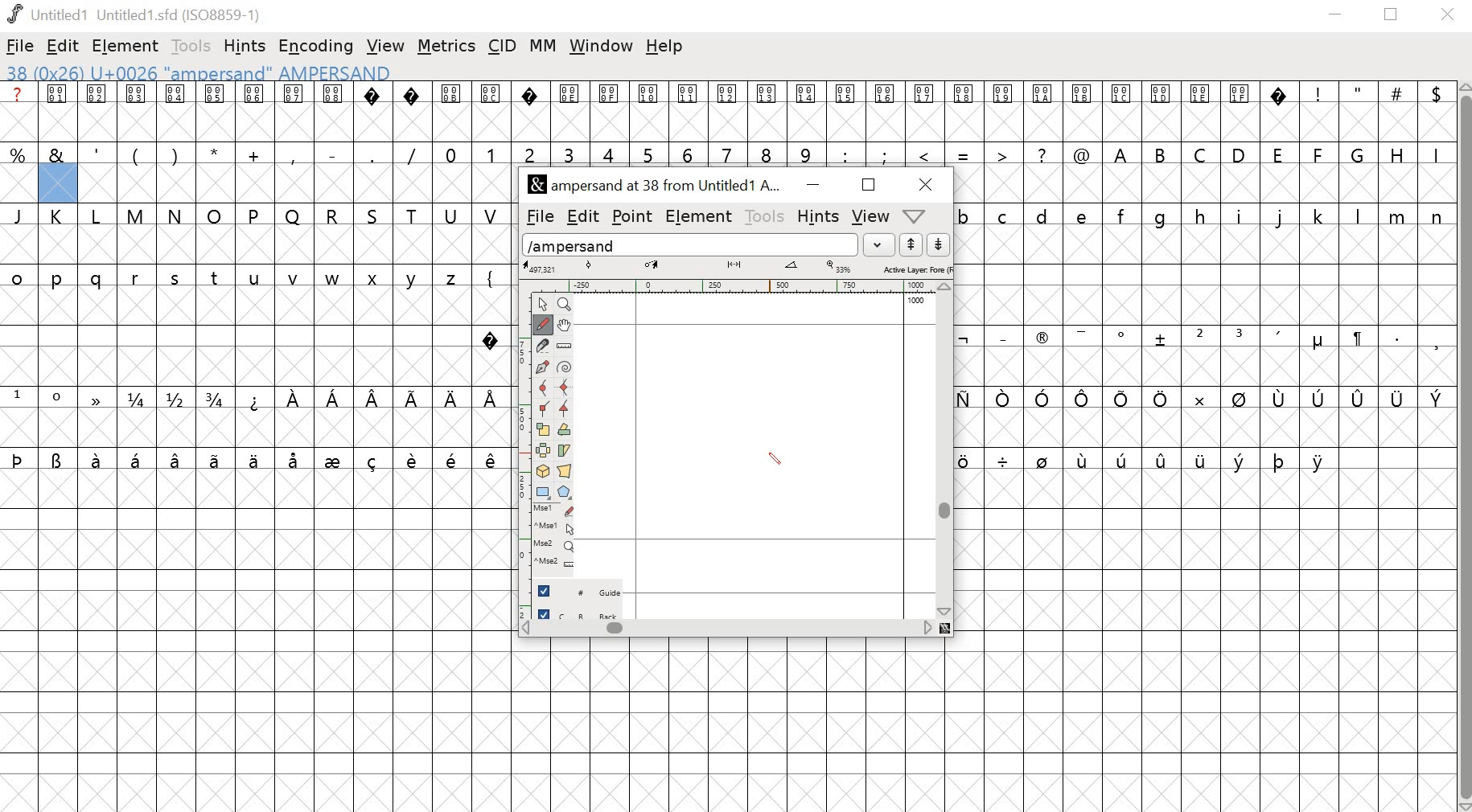  Describe the element at coordinates (634, 216) in the screenshot. I see `point` at that location.